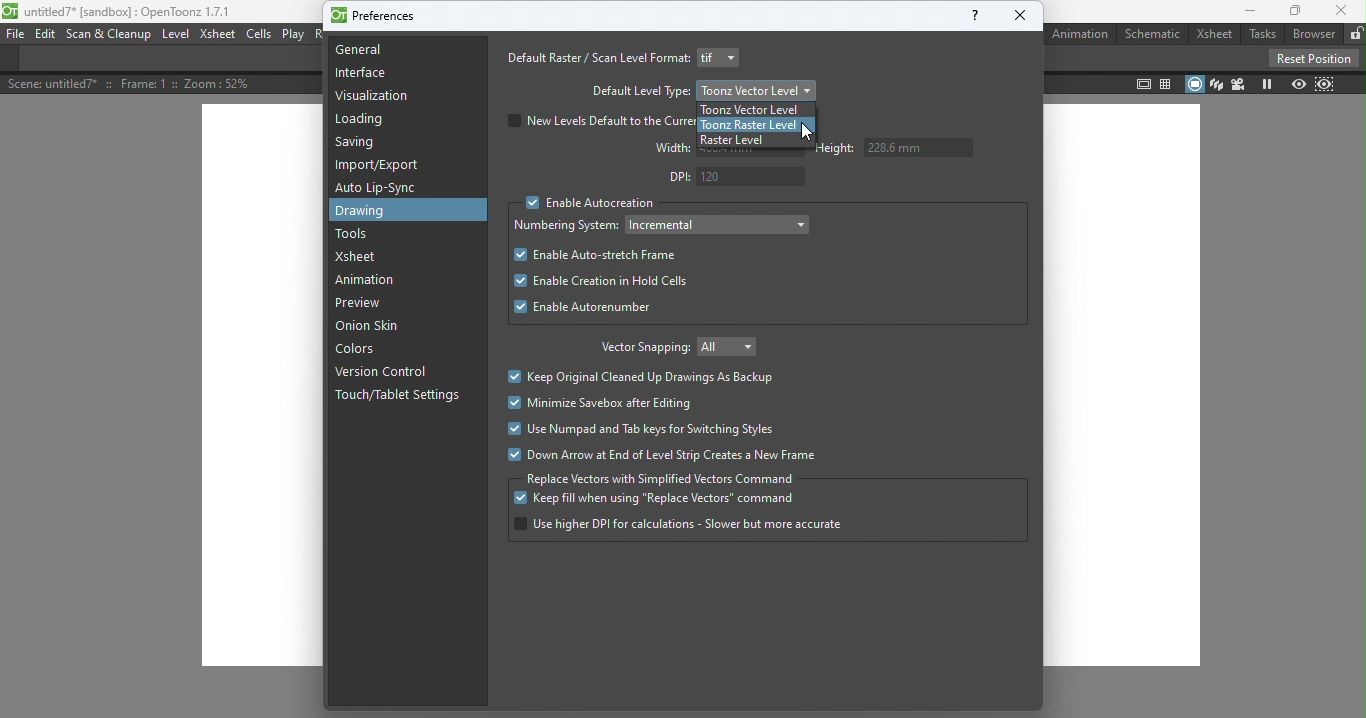 The height and width of the screenshot is (718, 1366). What do you see at coordinates (1168, 82) in the screenshot?
I see `Field guide` at bounding box center [1168, 82].